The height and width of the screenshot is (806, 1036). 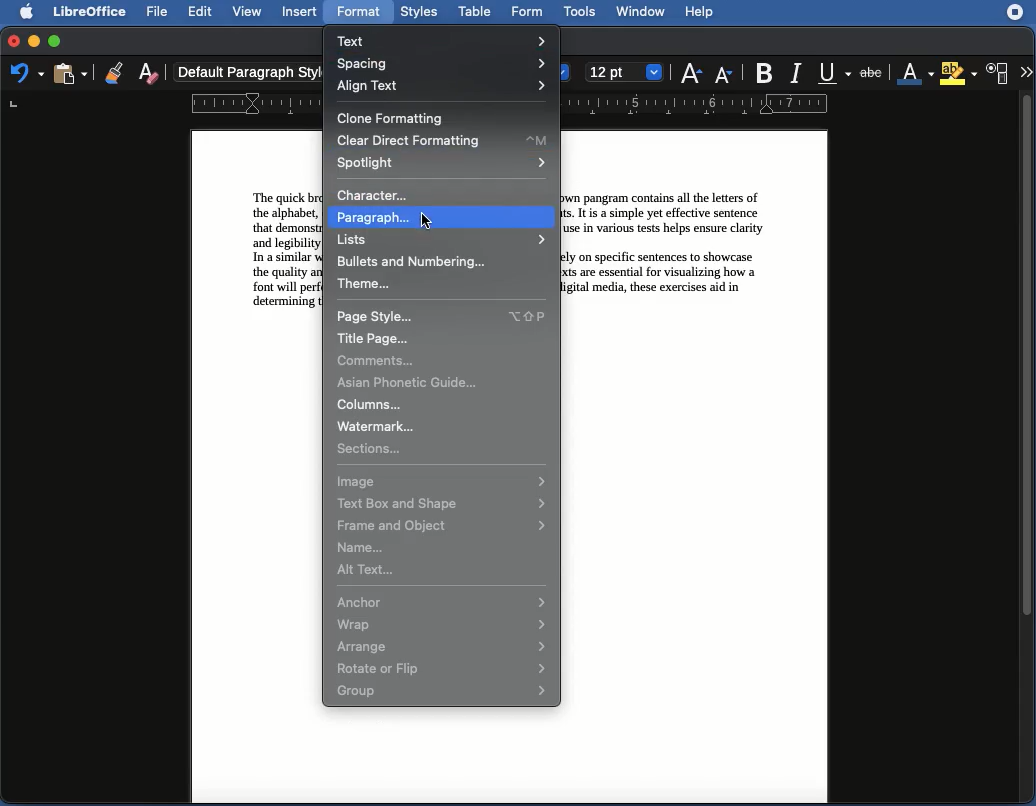 What do you see at coordinates (442, 693) in the screenshot?
I see `Group` at bounding box center [442, 693].